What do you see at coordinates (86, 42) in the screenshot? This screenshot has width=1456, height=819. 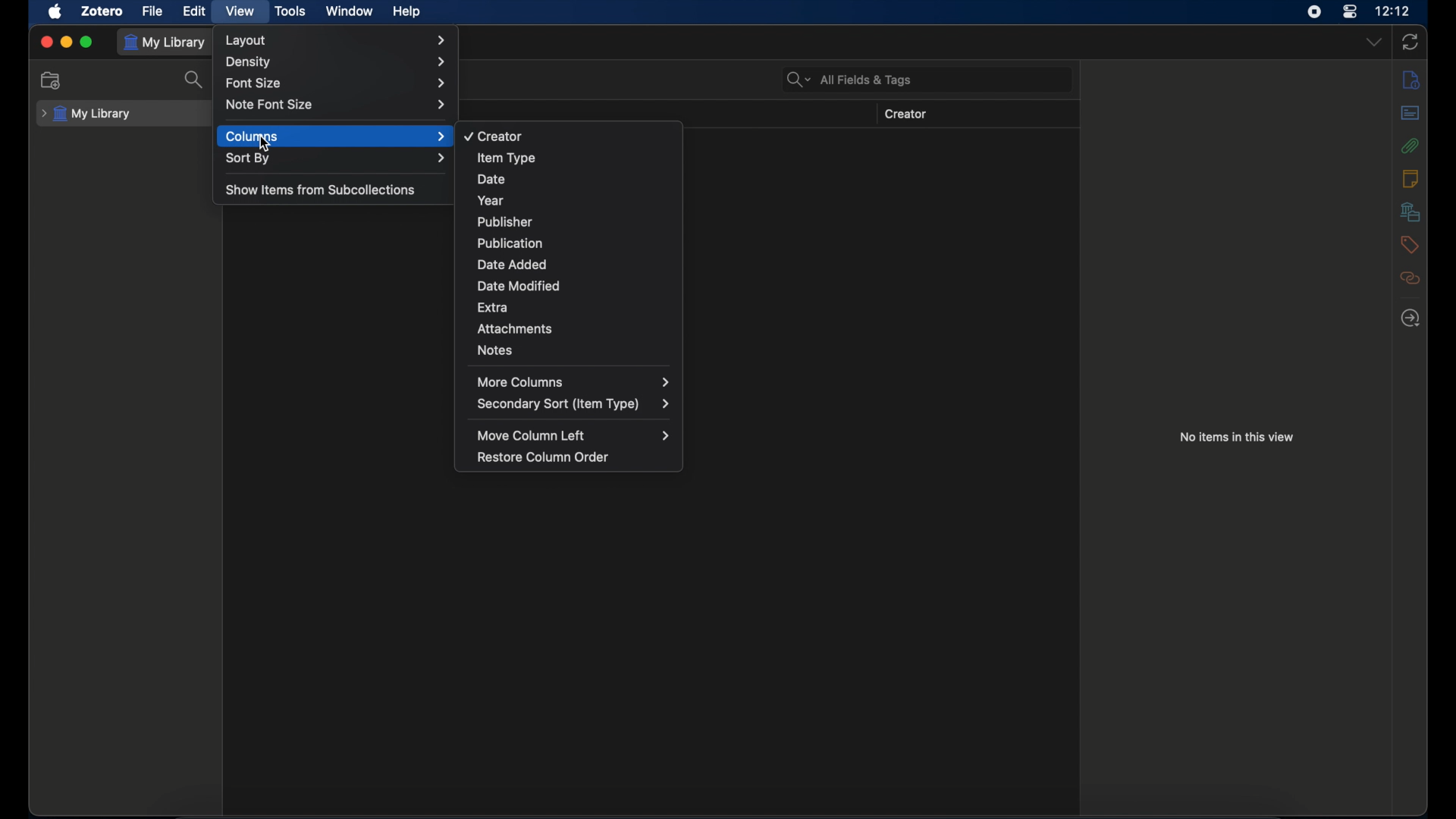 I see `maximize` at bounding box center [86, 42].